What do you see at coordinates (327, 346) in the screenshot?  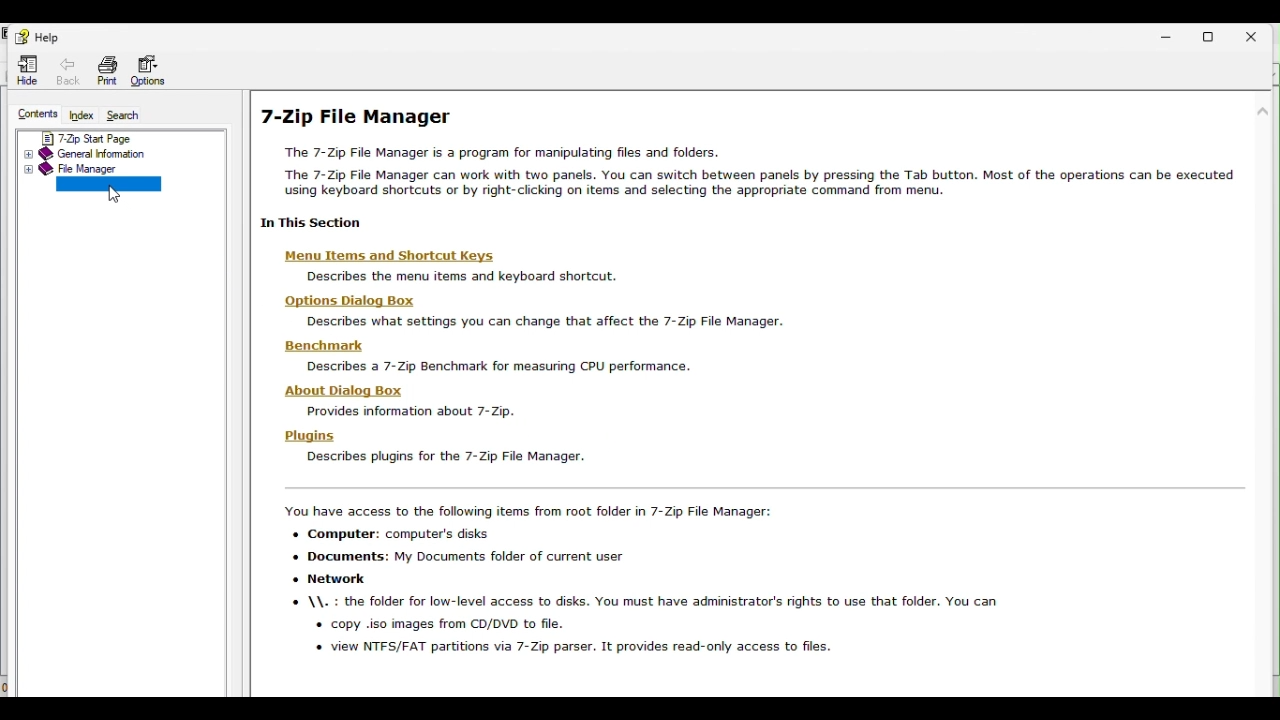 I see `benchmark` at bounding box center [327, 346].